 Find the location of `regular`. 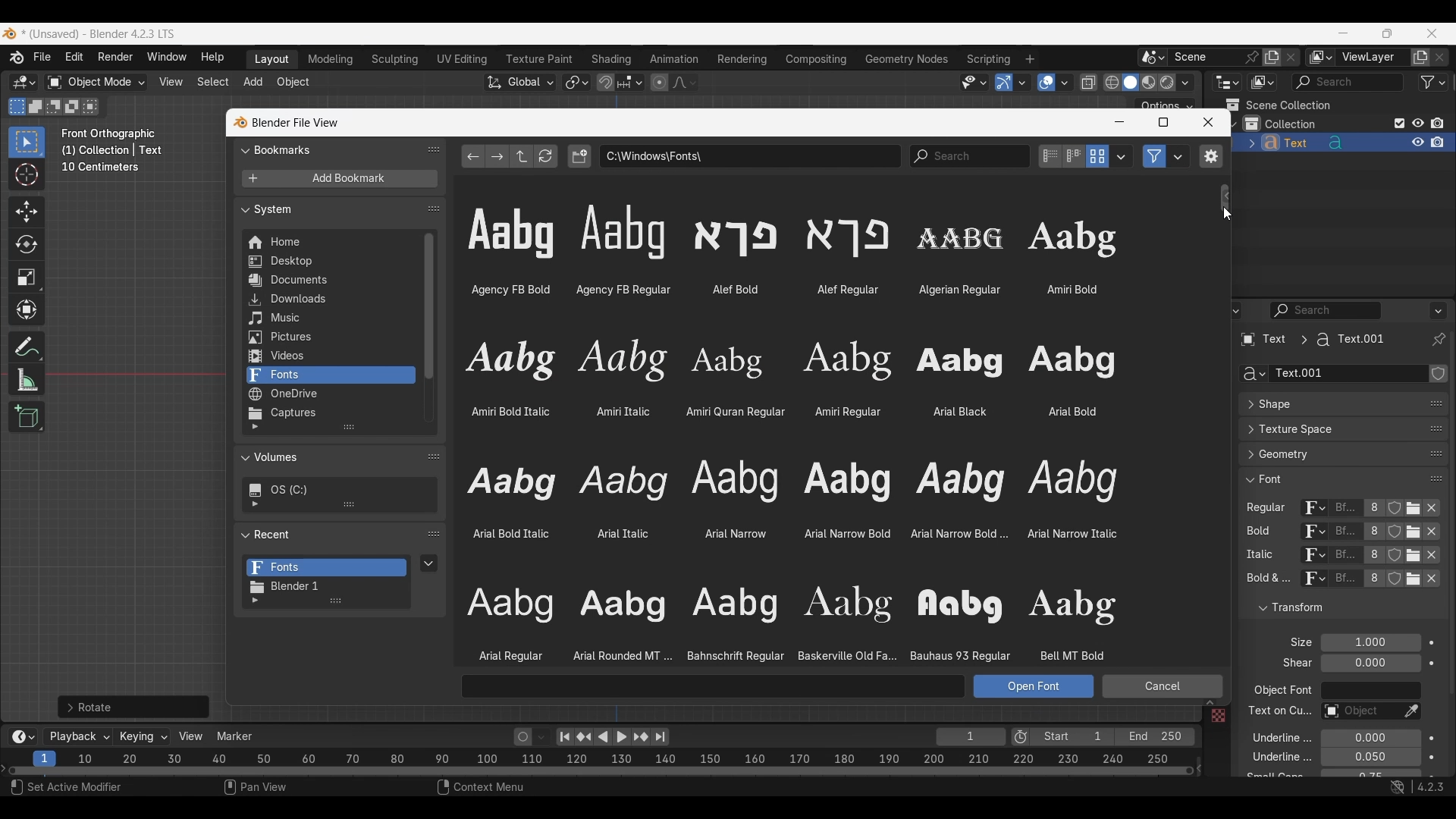

regular is located at coordinates (1269, 509).